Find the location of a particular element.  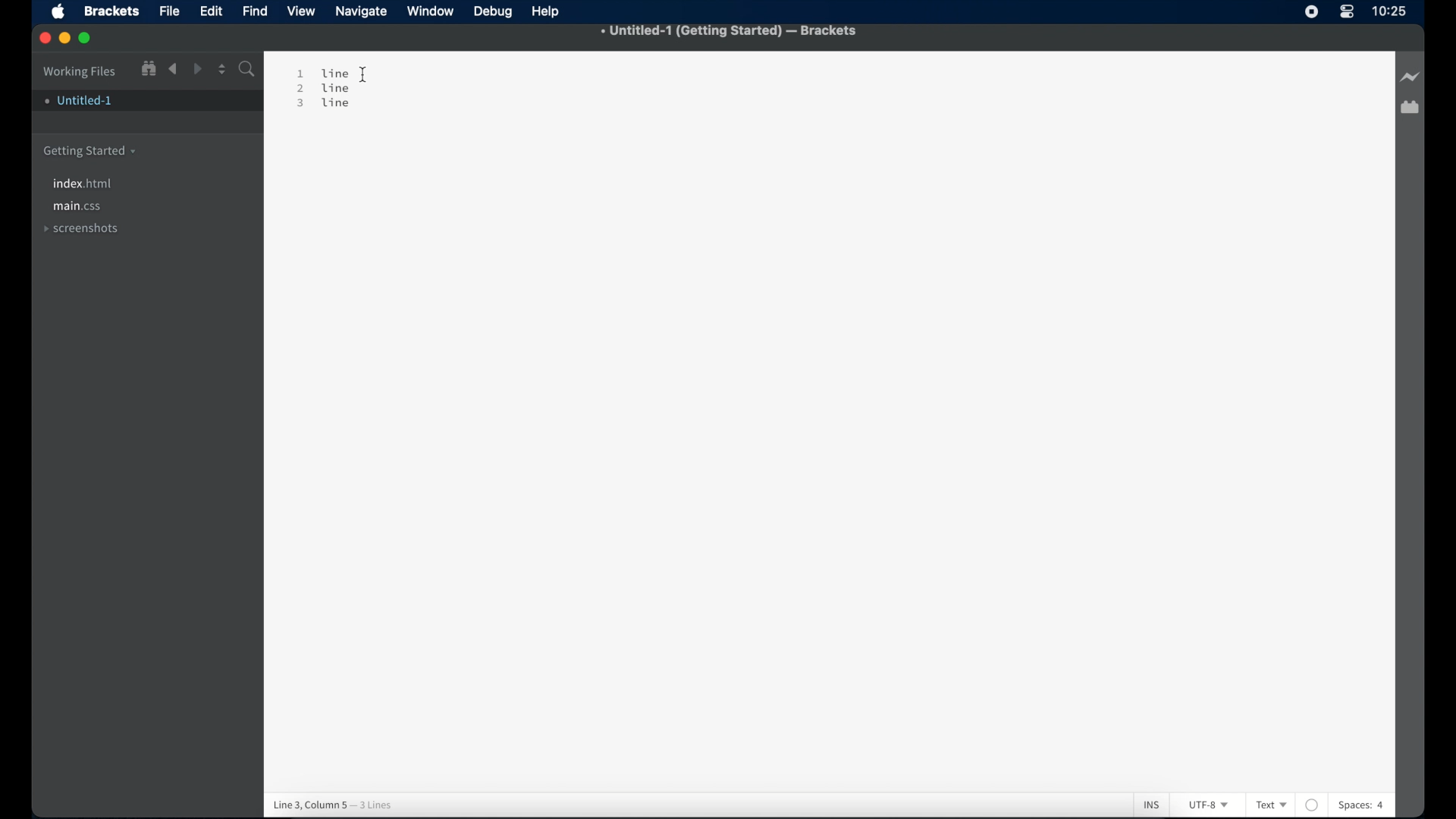

no linter available for text is located at coordinates (1311, 799).